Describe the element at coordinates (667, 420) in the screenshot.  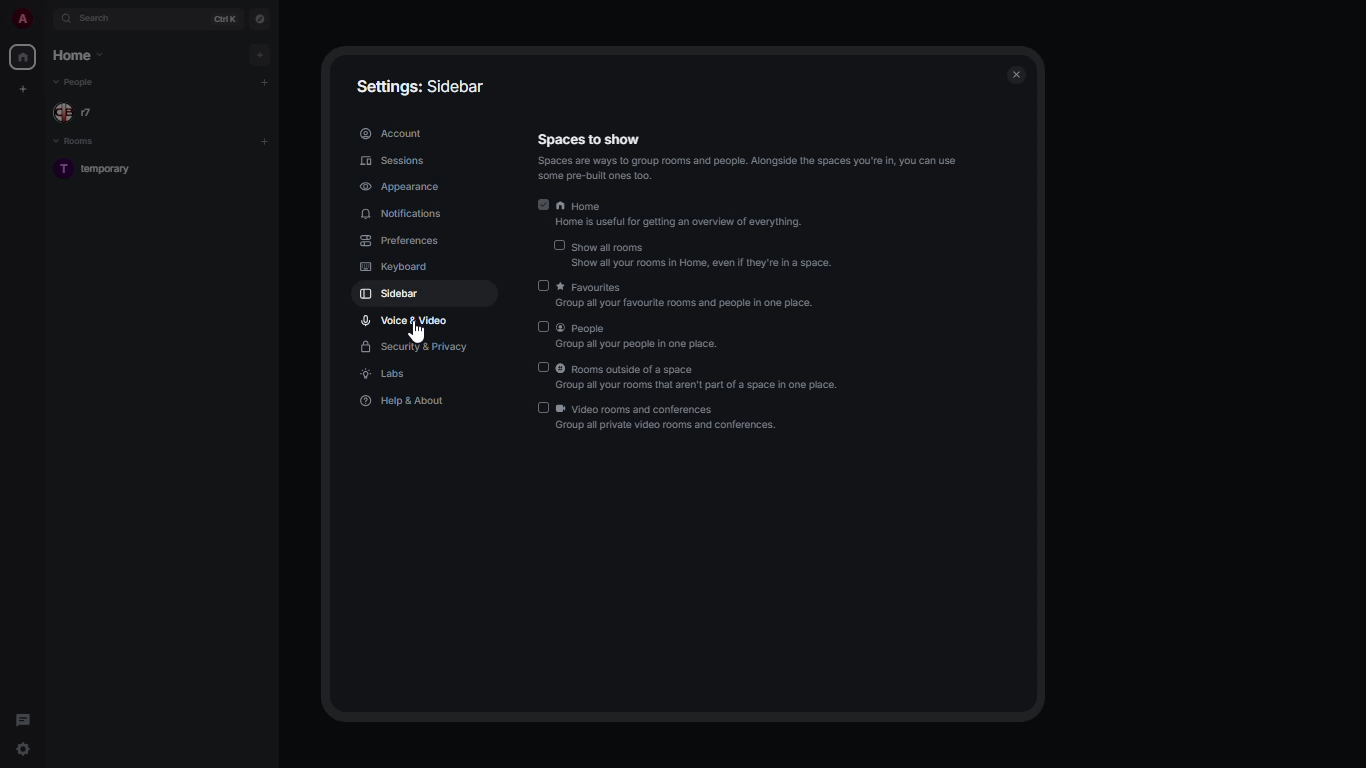
I see `video rooms and conferences` at that location.